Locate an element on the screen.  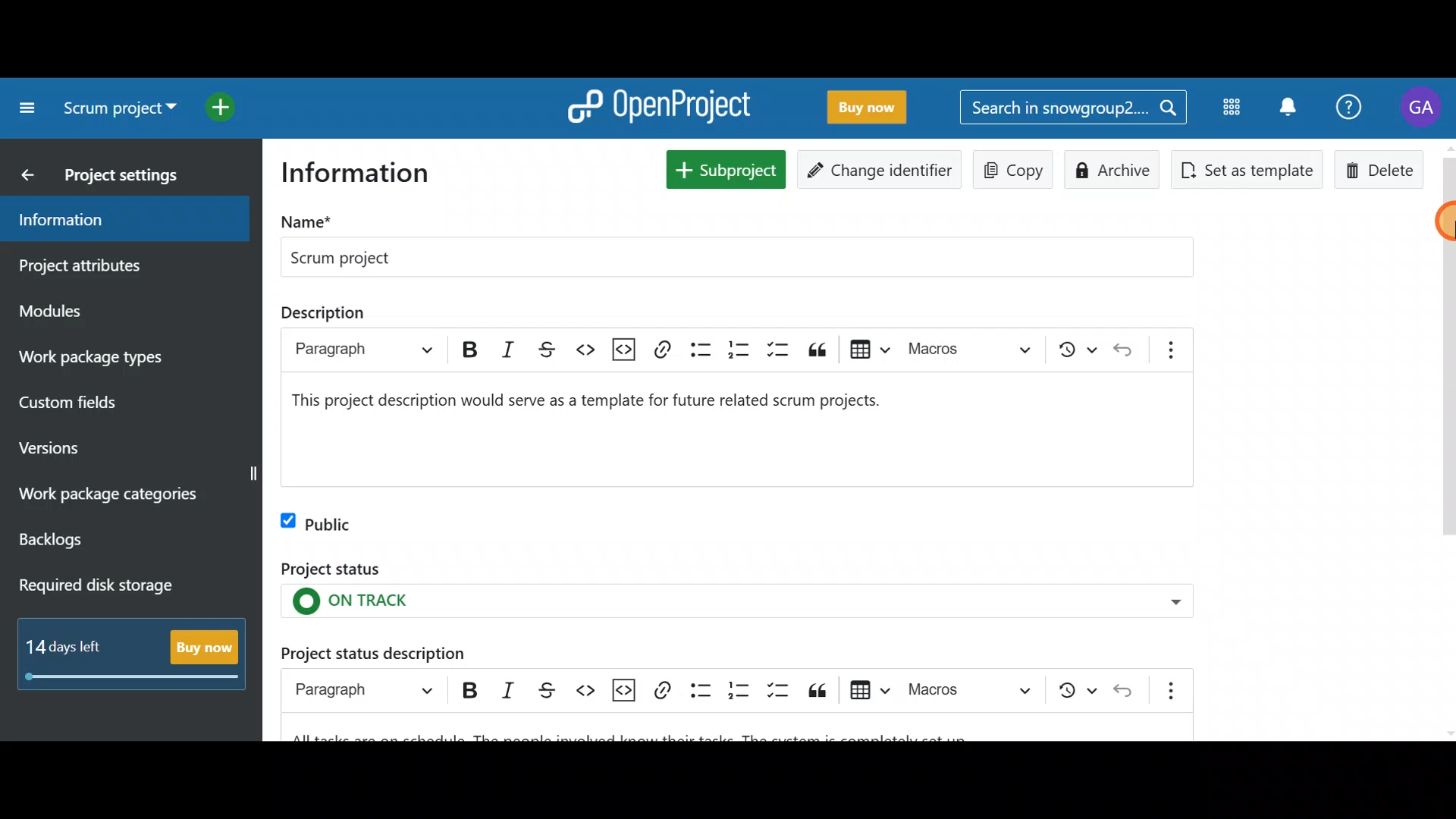
Bold is located at coordinates (469, 690).